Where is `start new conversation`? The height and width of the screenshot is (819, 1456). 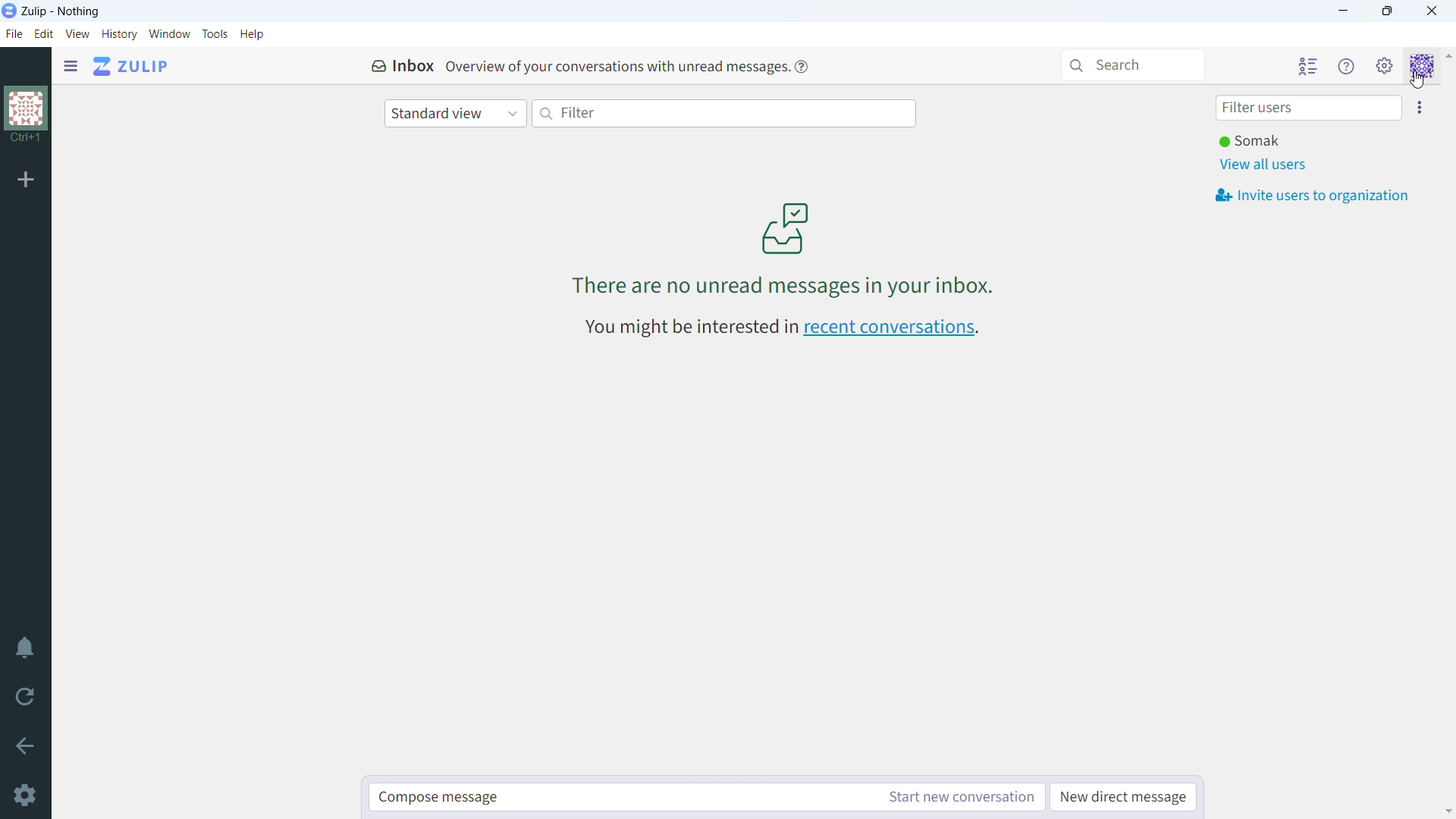
start new conversation is located at coordinates (959, 797).